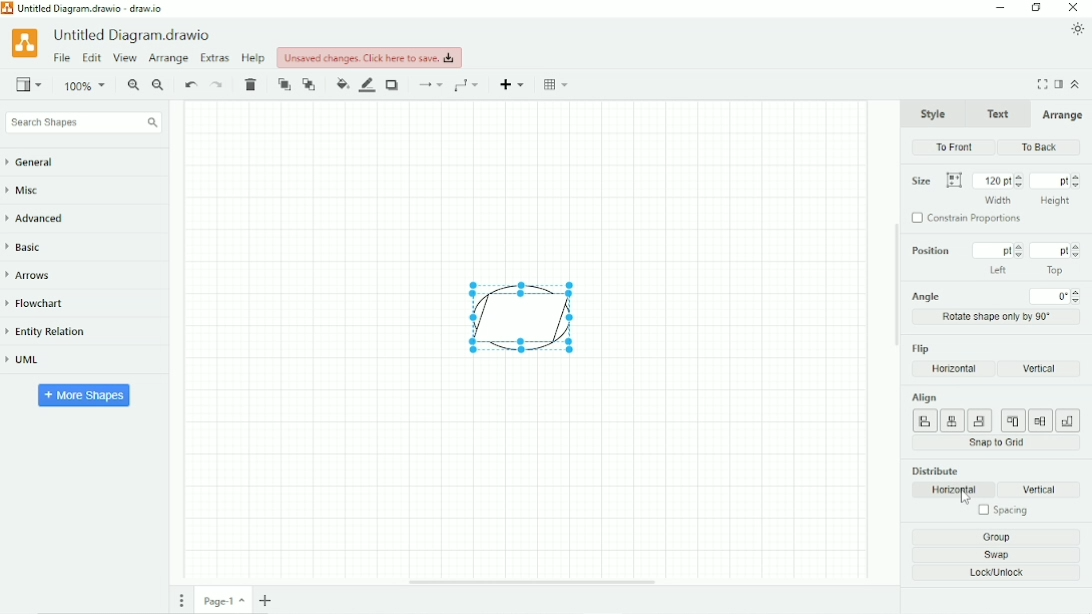 The image size is (1092, 614). I want to click on Align, so click(994, 412).